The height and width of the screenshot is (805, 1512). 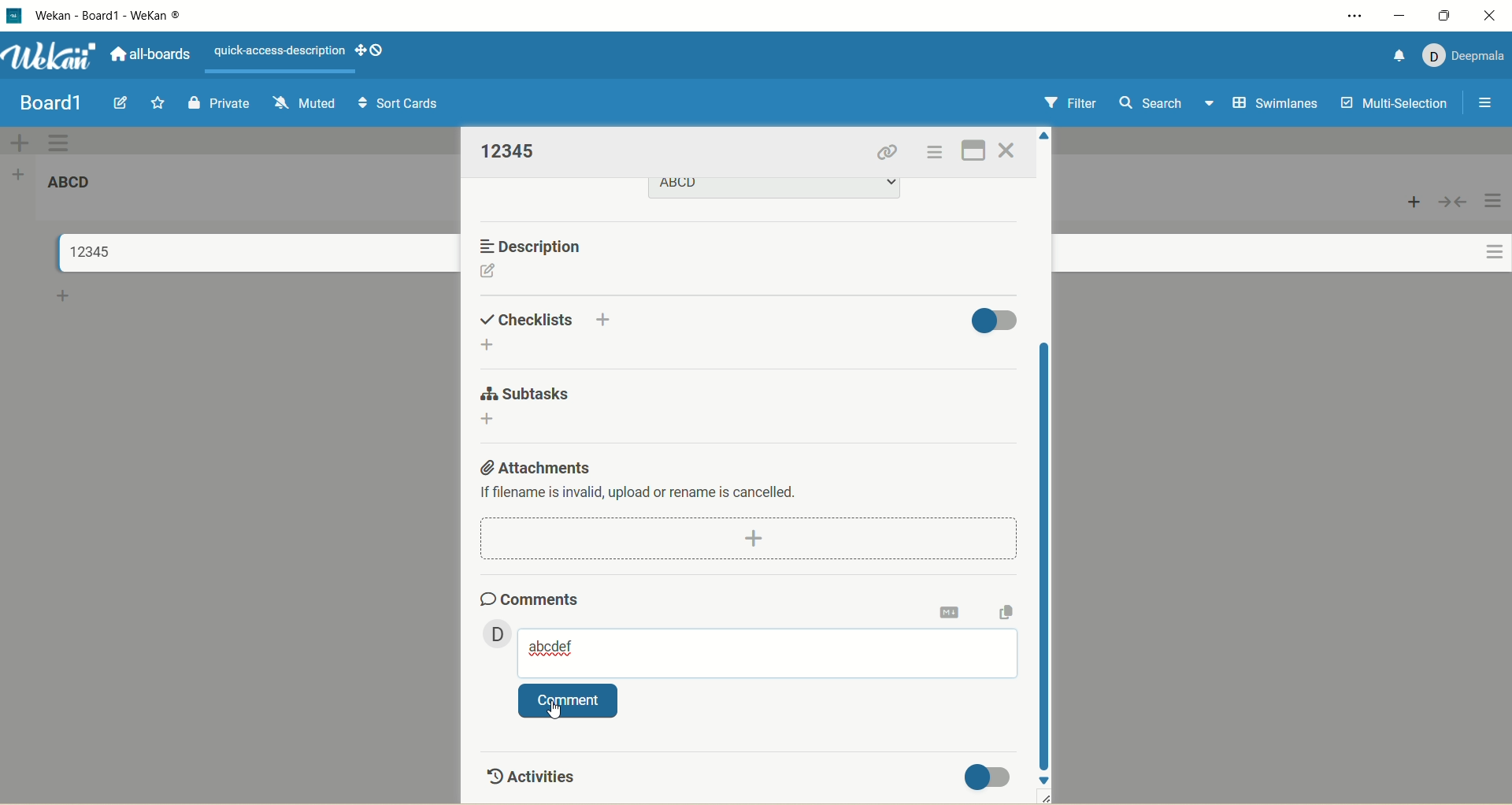 I want to click on copy card link to clipboard, so click(x=888, y=154).